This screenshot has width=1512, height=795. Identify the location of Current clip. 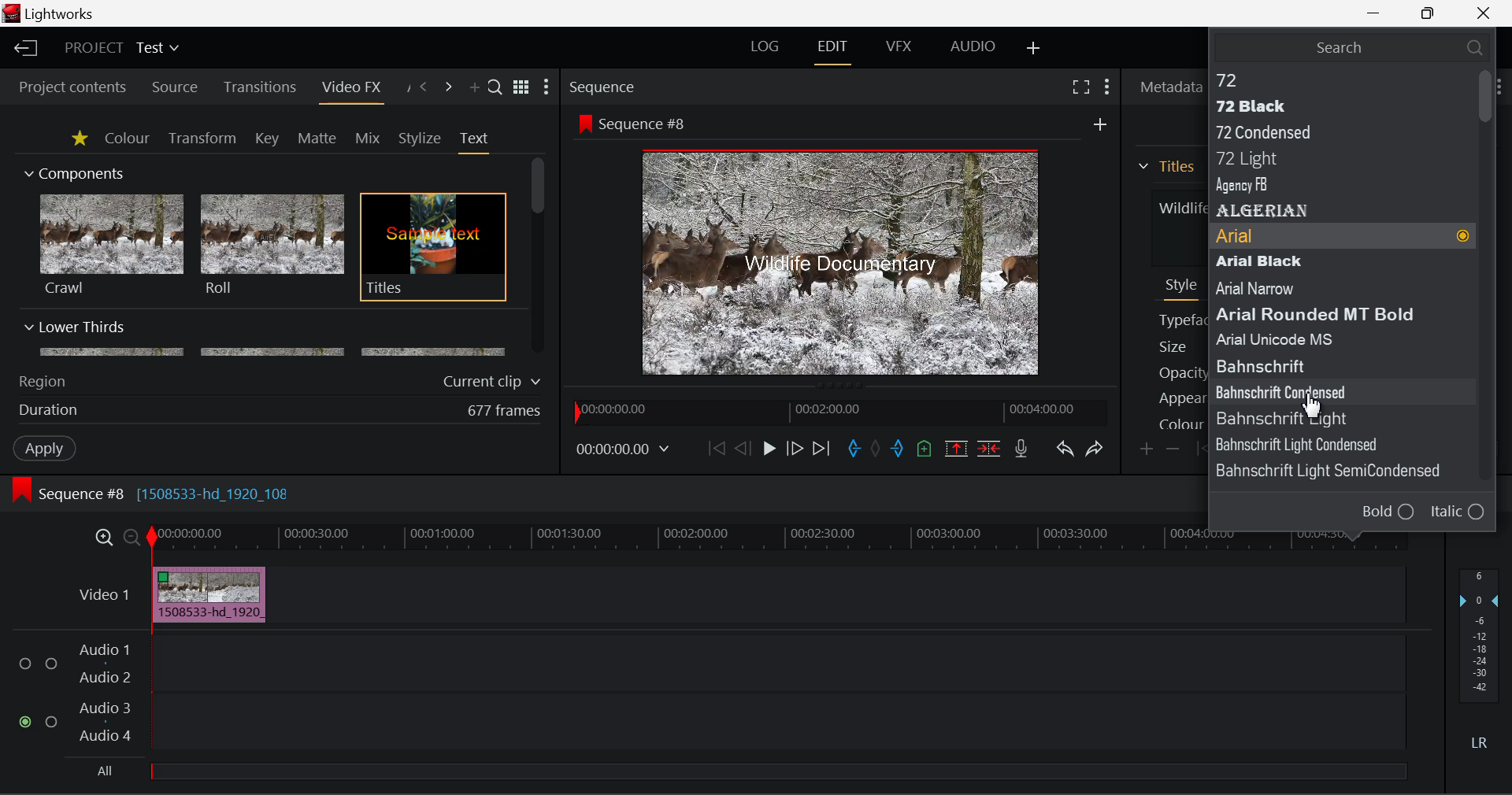
(495, 382).